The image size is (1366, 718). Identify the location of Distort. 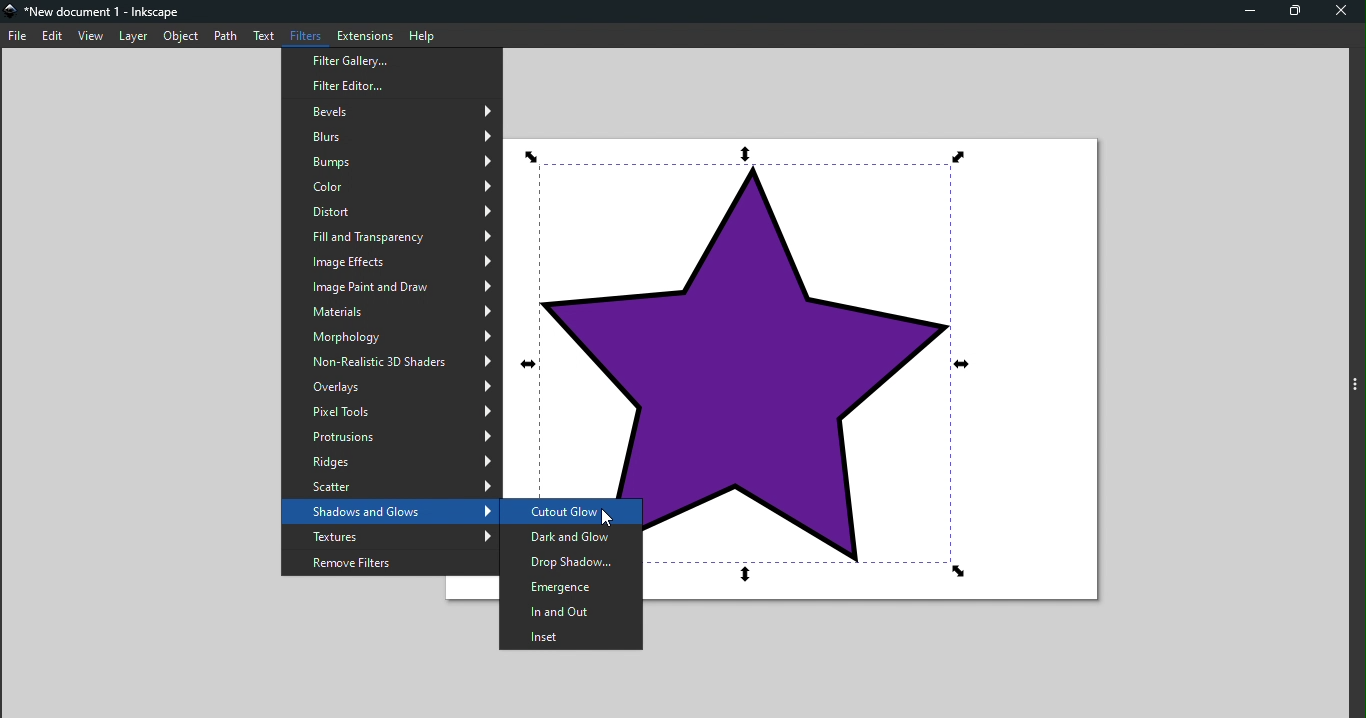
(390, 212).